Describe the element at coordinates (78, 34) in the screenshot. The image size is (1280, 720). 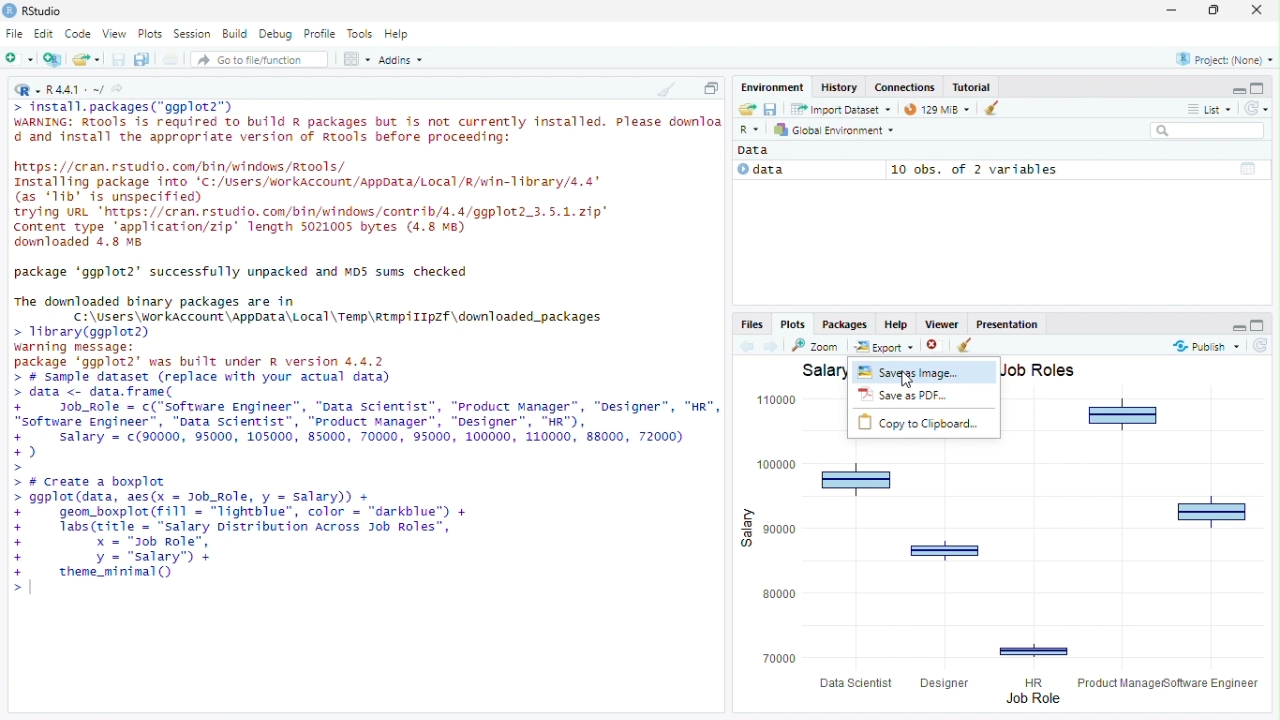
I see `Code` at that location.